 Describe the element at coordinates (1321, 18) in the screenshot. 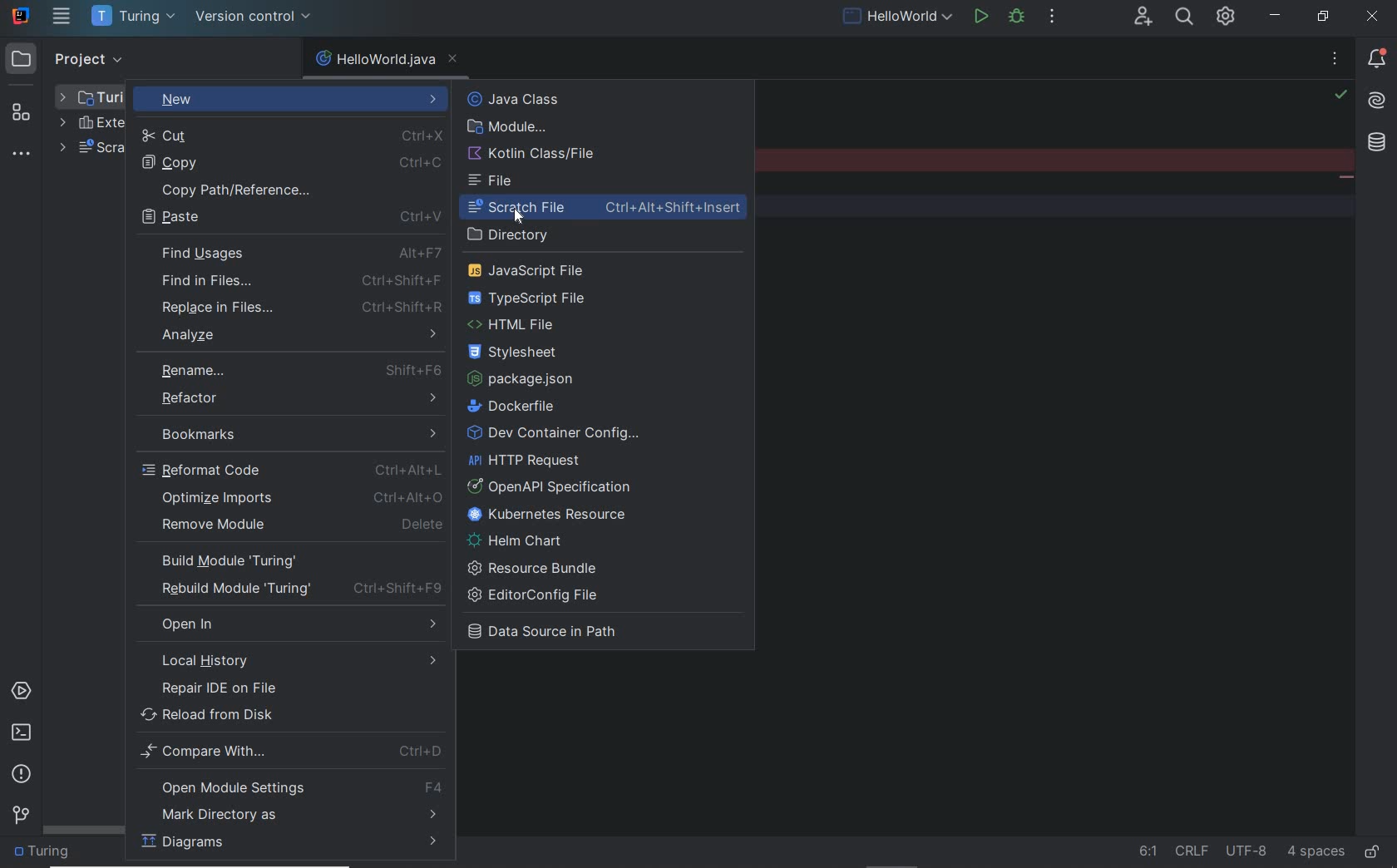

I see `RESTORE DOWN` at that location.